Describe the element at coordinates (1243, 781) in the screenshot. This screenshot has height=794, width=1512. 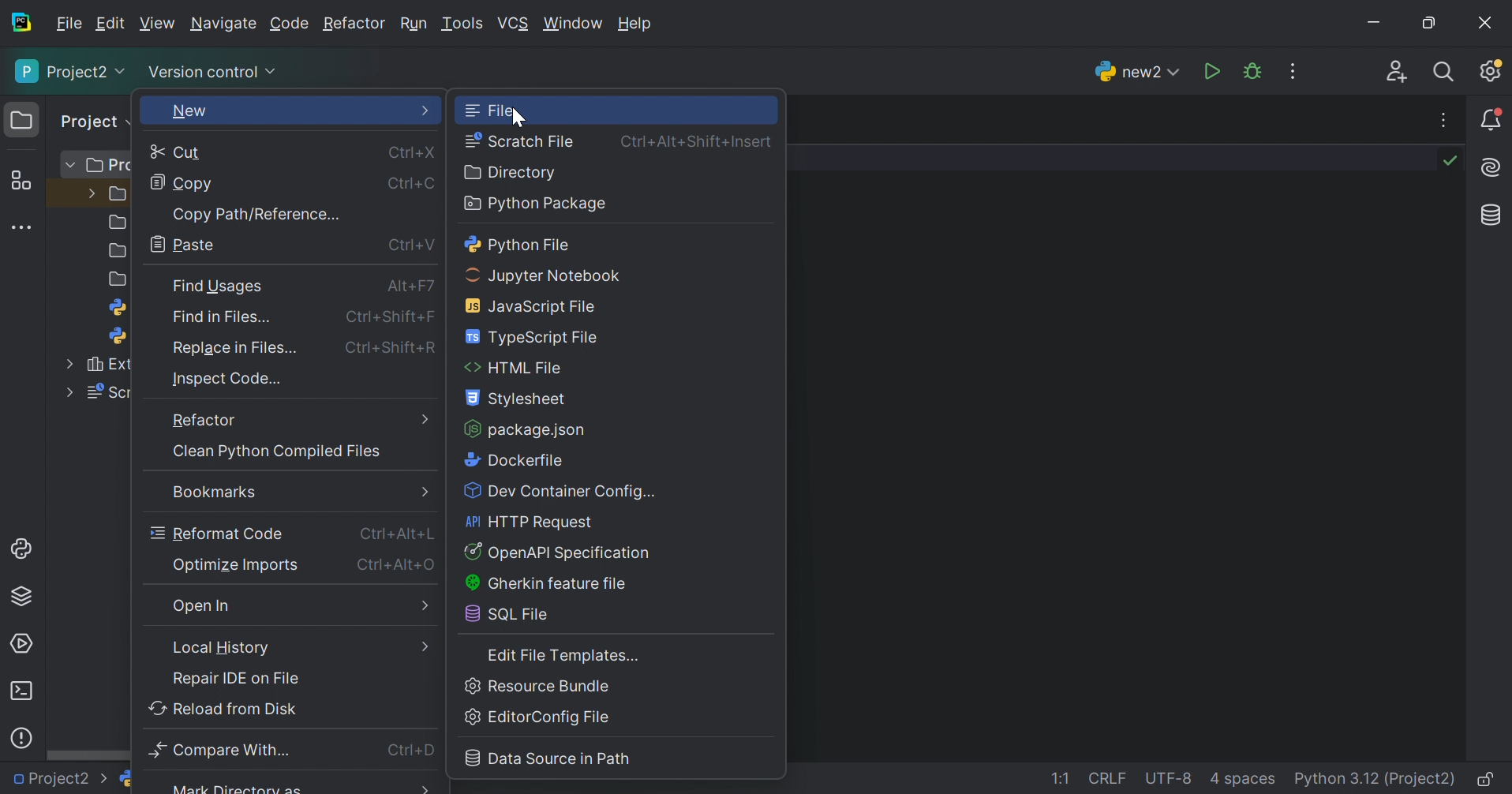
I see `4 spaces` at that location.